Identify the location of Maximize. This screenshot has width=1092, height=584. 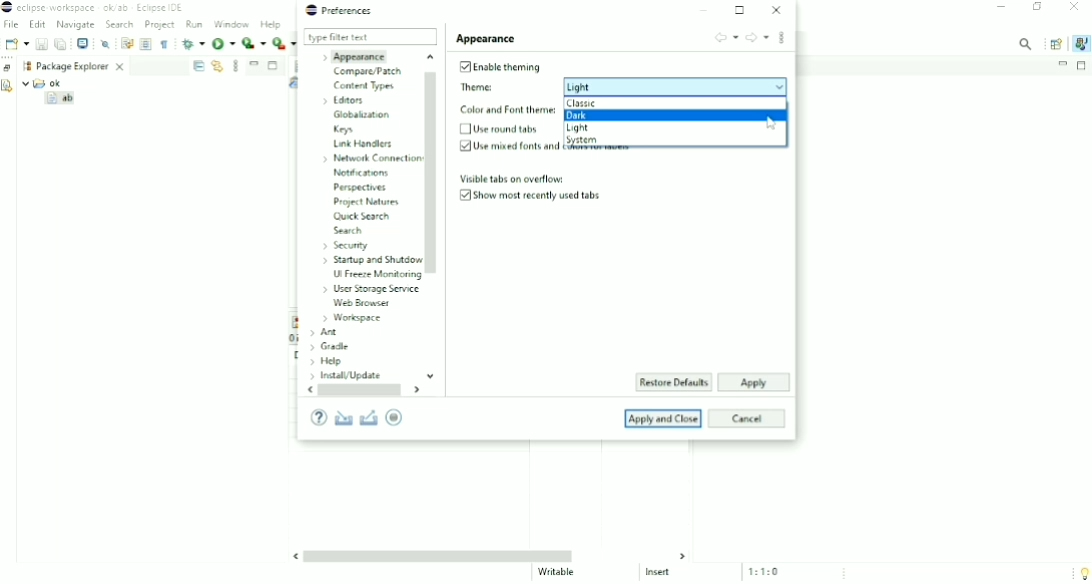
(1083, 66).